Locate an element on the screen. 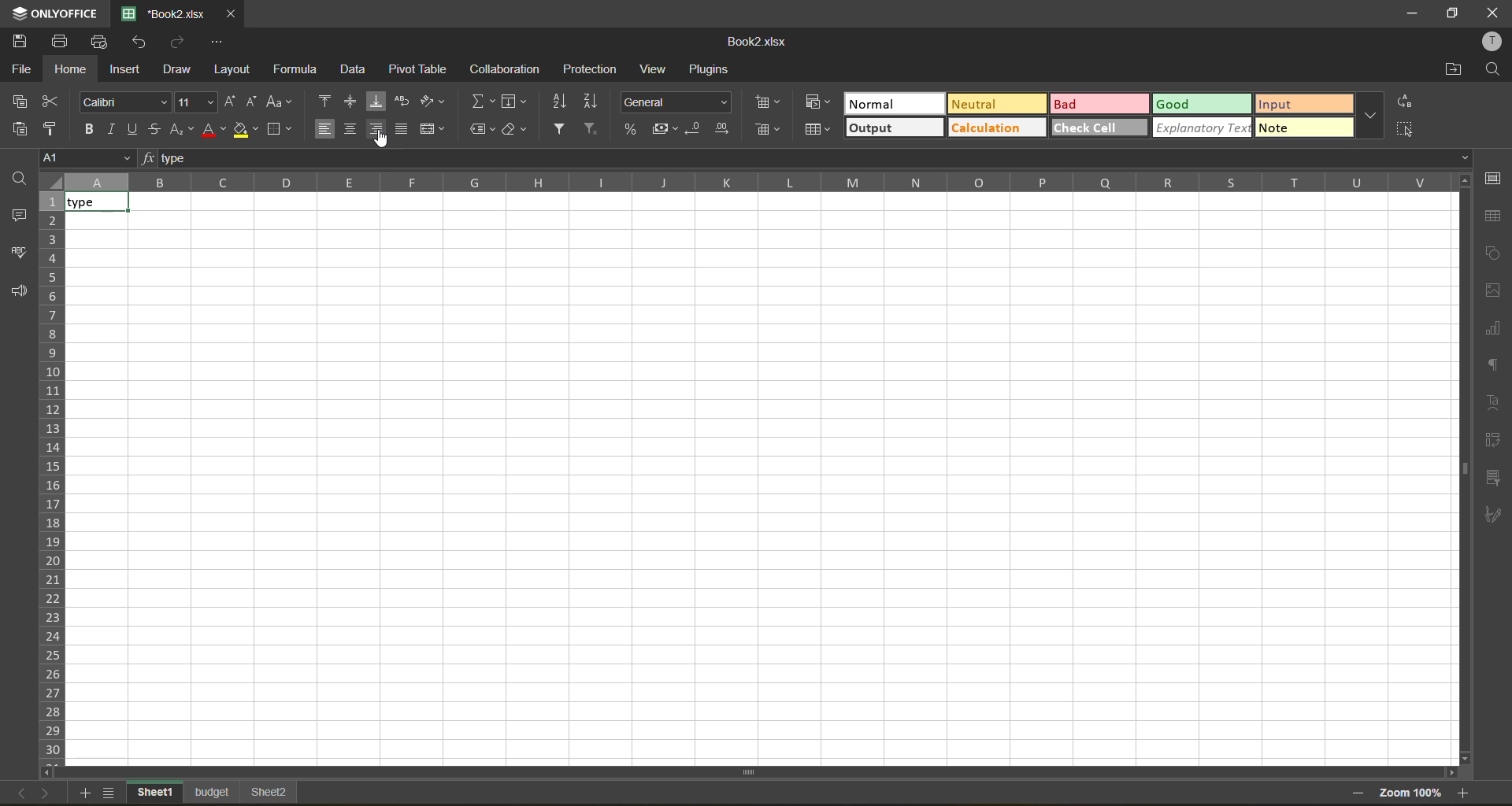 Image resolution: width=1512 pixels, height=806 pixels. sort ascending is located at coordinates (561, 102).